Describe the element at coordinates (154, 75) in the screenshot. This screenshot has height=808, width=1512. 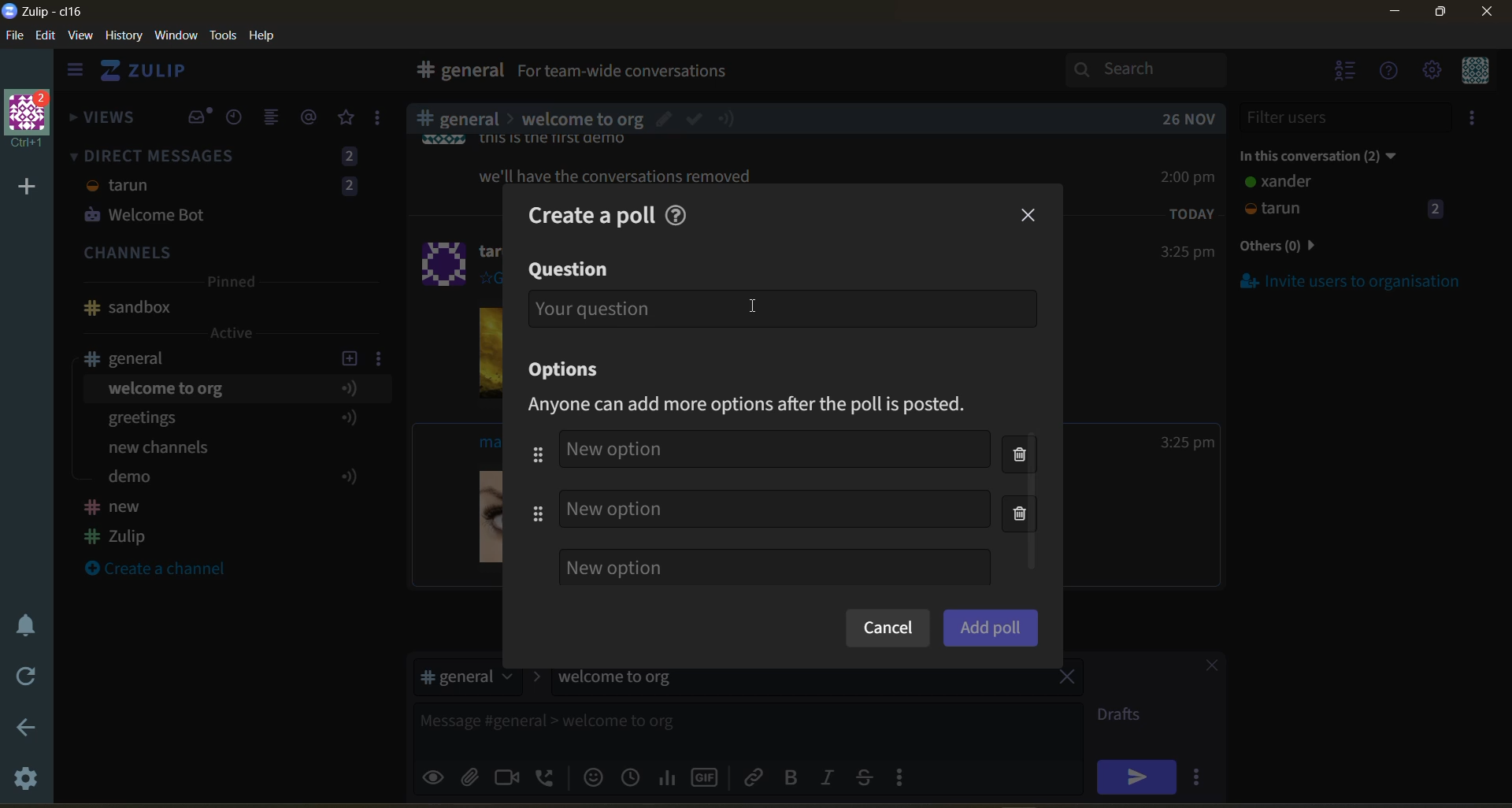
I see `home view` at that location.